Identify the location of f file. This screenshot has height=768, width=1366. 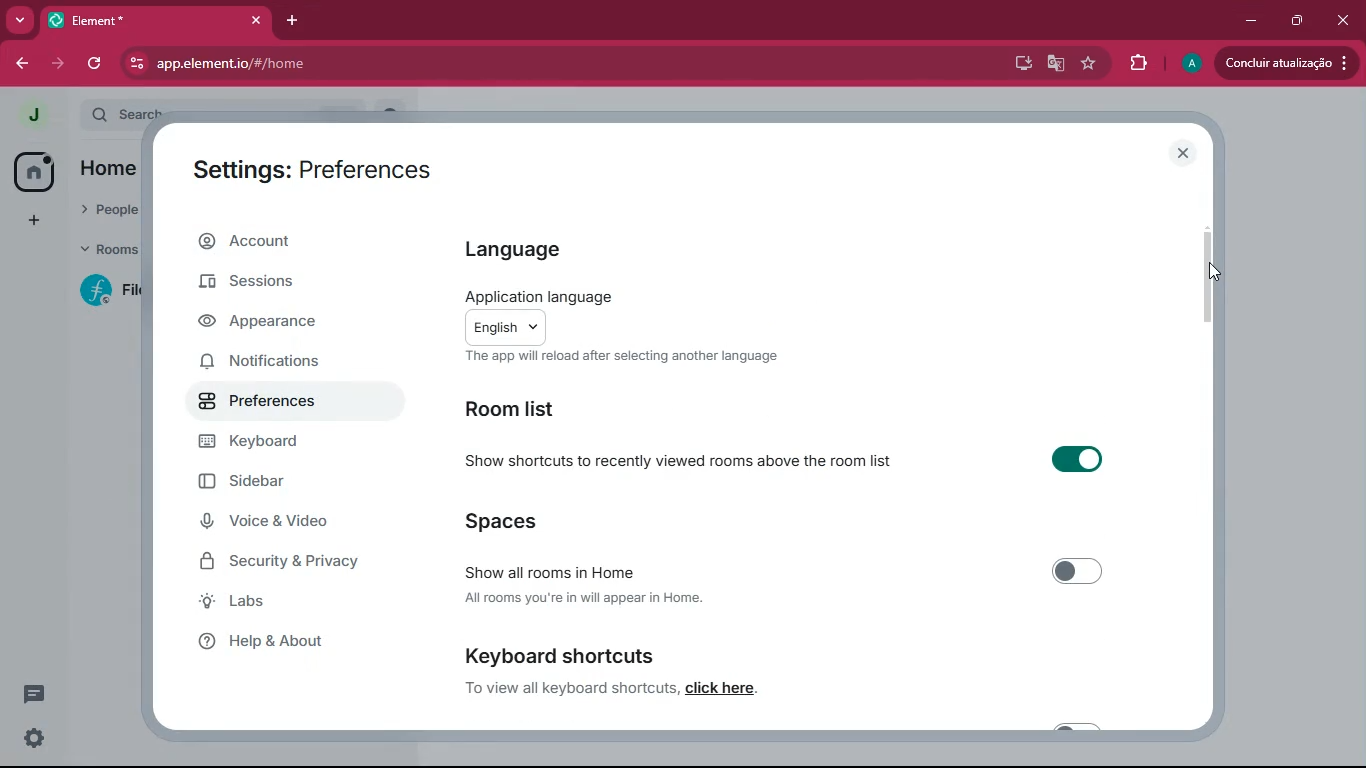
(112, 294).